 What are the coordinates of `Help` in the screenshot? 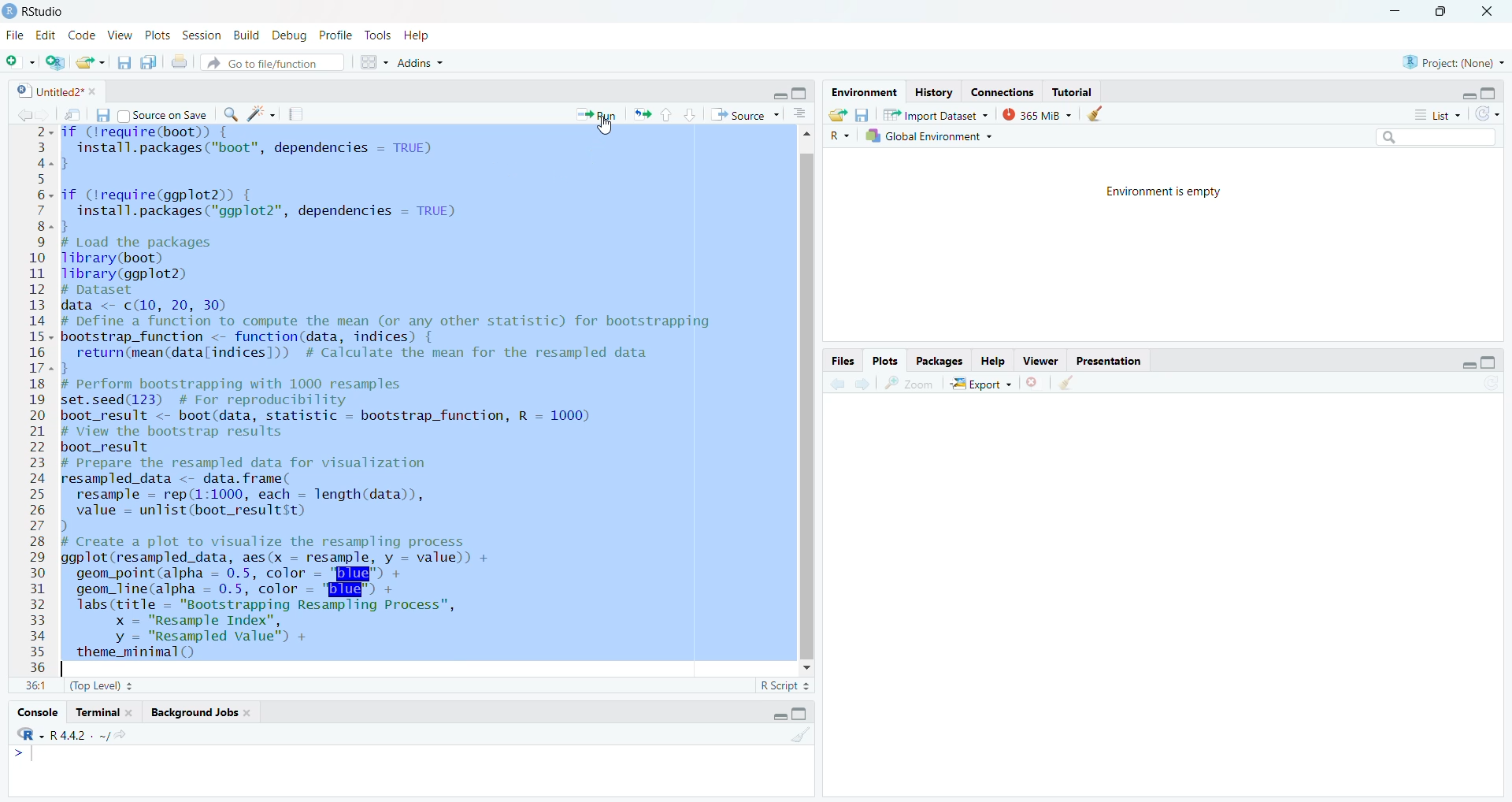 It's located at (991, 360).